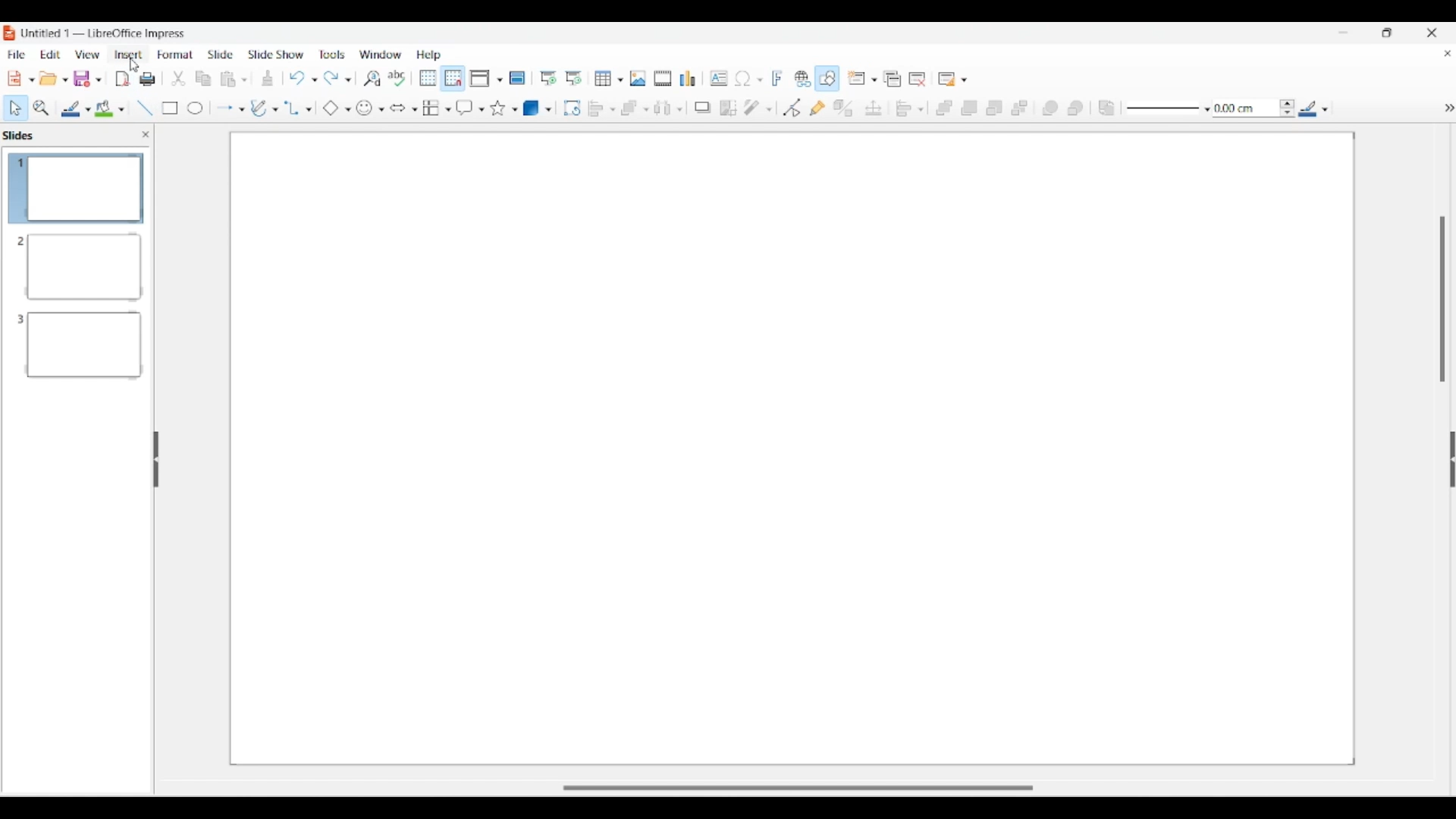  I want to click on Insert image, so click(638, 78).